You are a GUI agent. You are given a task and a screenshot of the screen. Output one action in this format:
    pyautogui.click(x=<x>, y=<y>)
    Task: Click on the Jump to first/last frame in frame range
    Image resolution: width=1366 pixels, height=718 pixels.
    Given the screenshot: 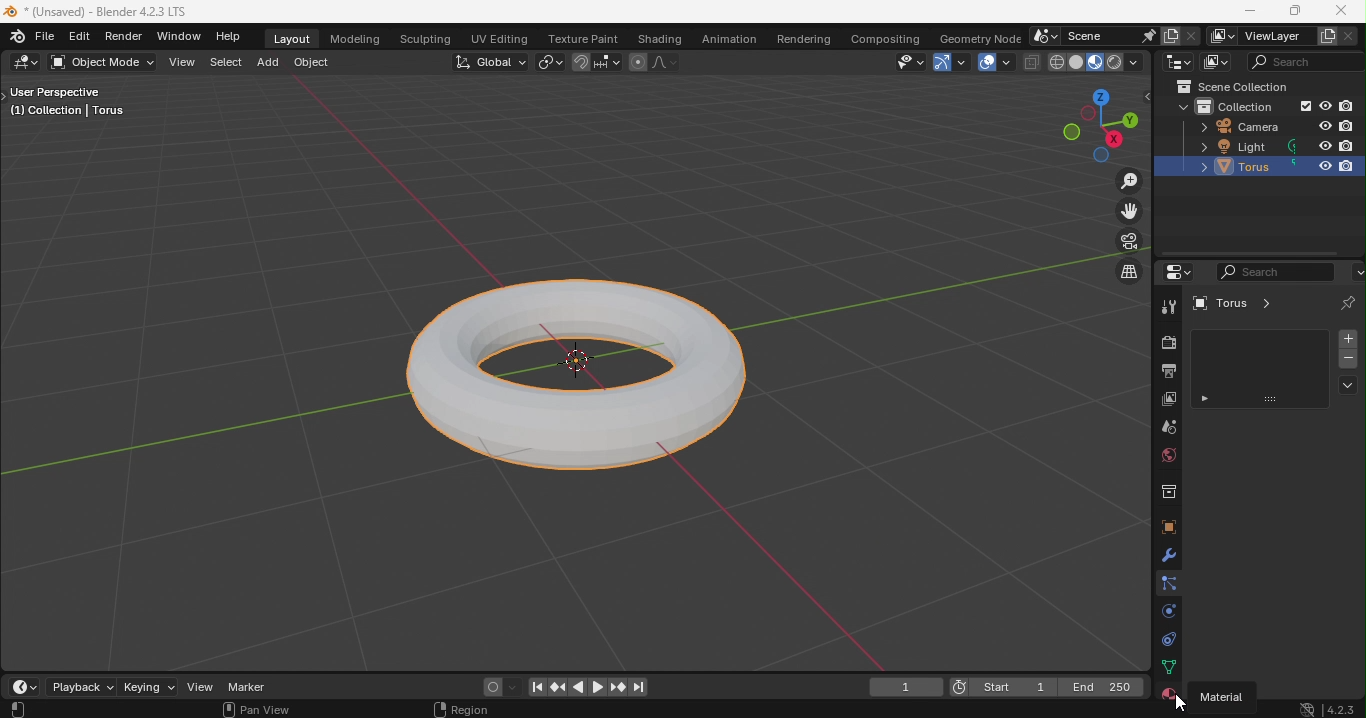 What is the action you would take?
    pyautogui.click(x=641, y=687)
    